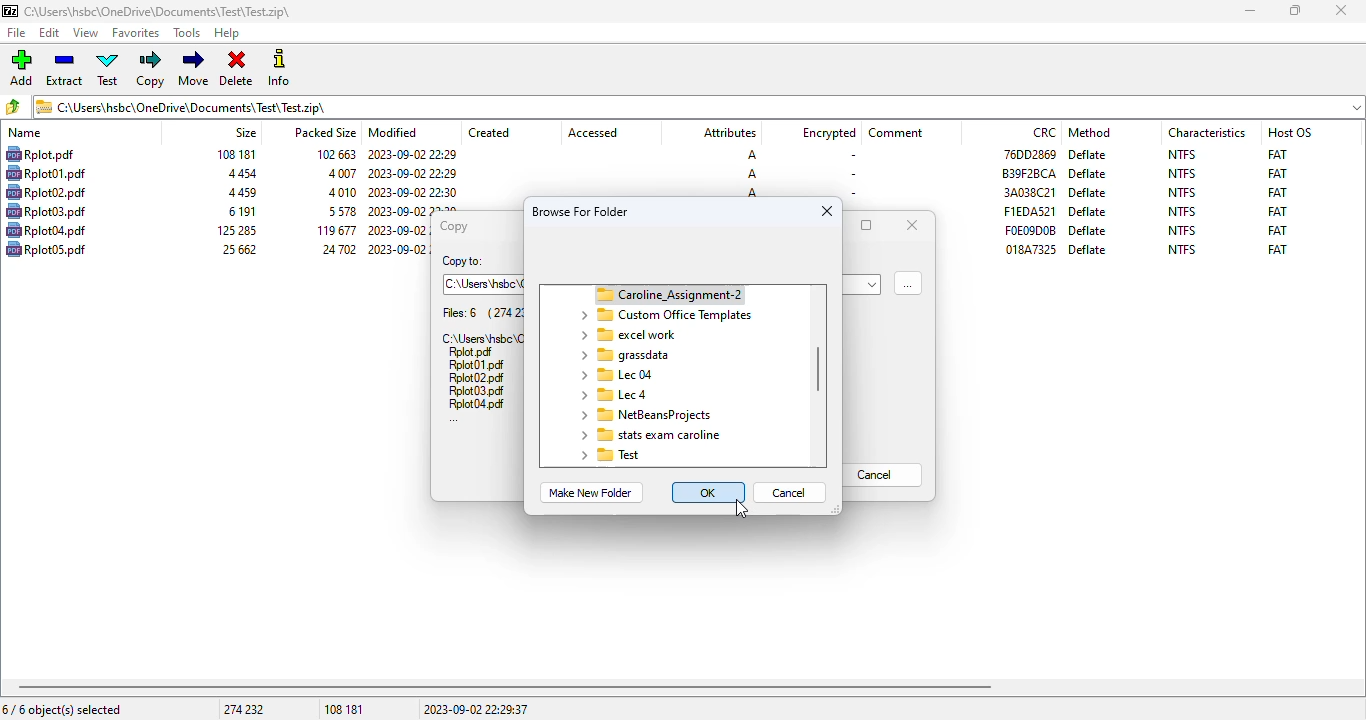  What do you see at coordinates (1089, 154) in the screenshot?
I see `deflate` at bounding box center [1089, 154].